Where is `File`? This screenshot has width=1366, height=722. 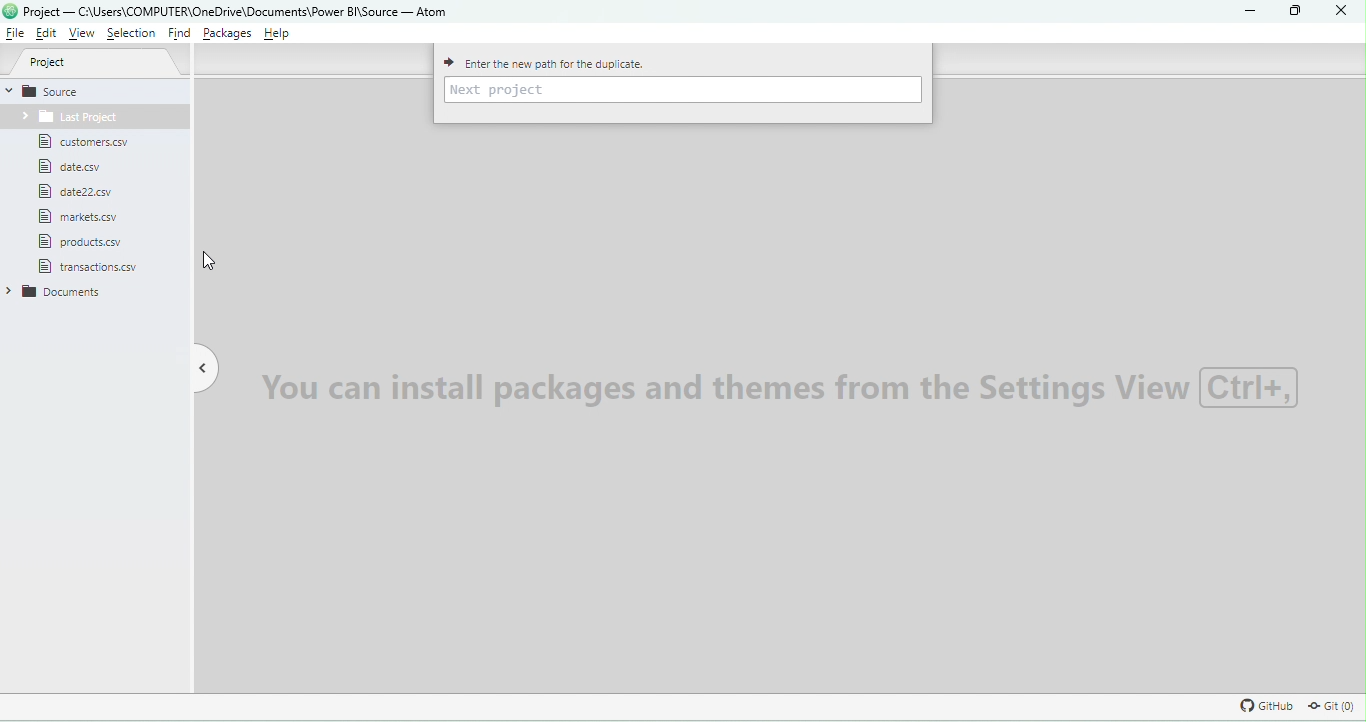 File is located at coordinates (87, 192).